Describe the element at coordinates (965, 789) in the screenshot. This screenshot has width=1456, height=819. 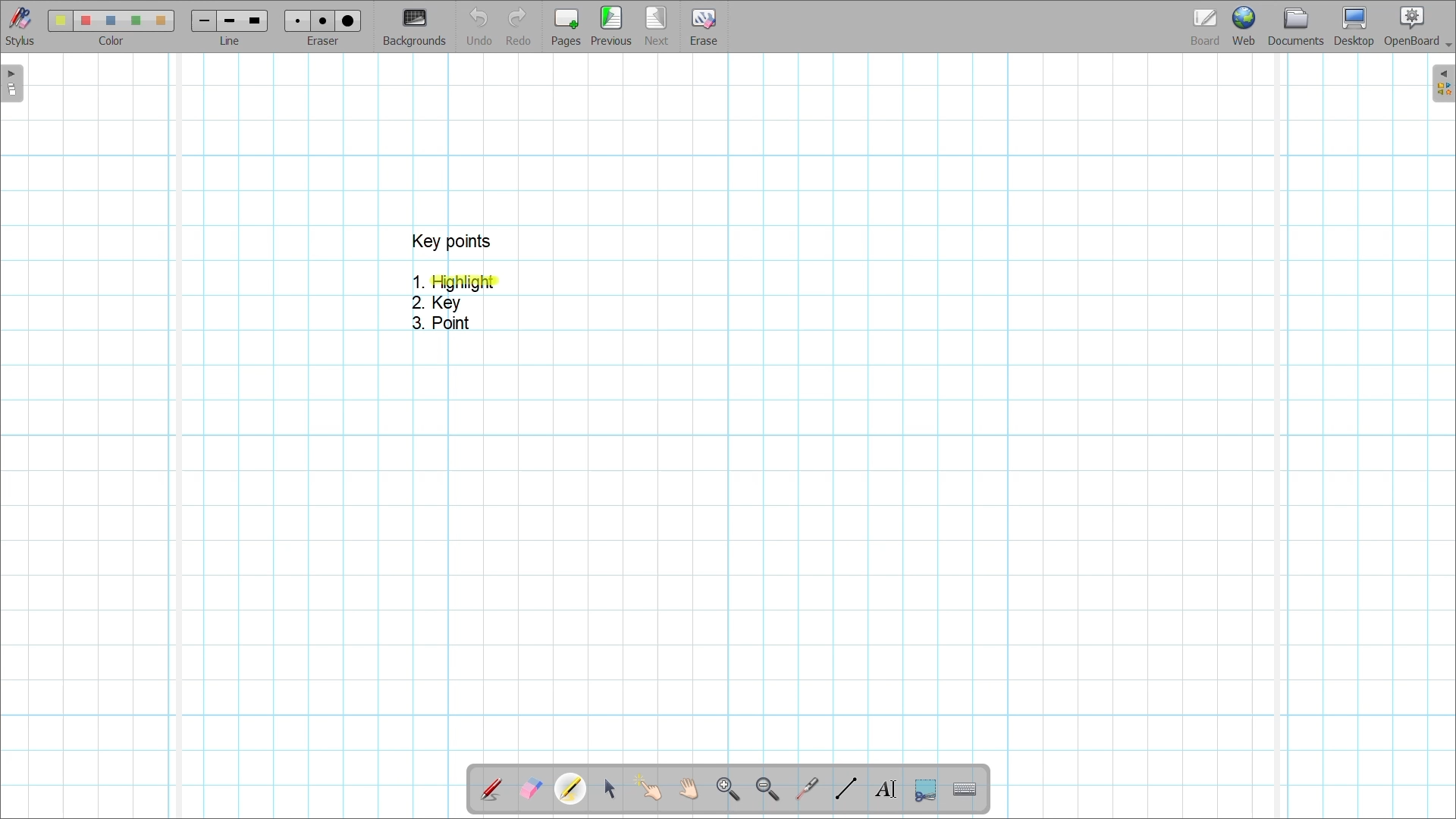
I see `Display virtual keyboard` at that location.